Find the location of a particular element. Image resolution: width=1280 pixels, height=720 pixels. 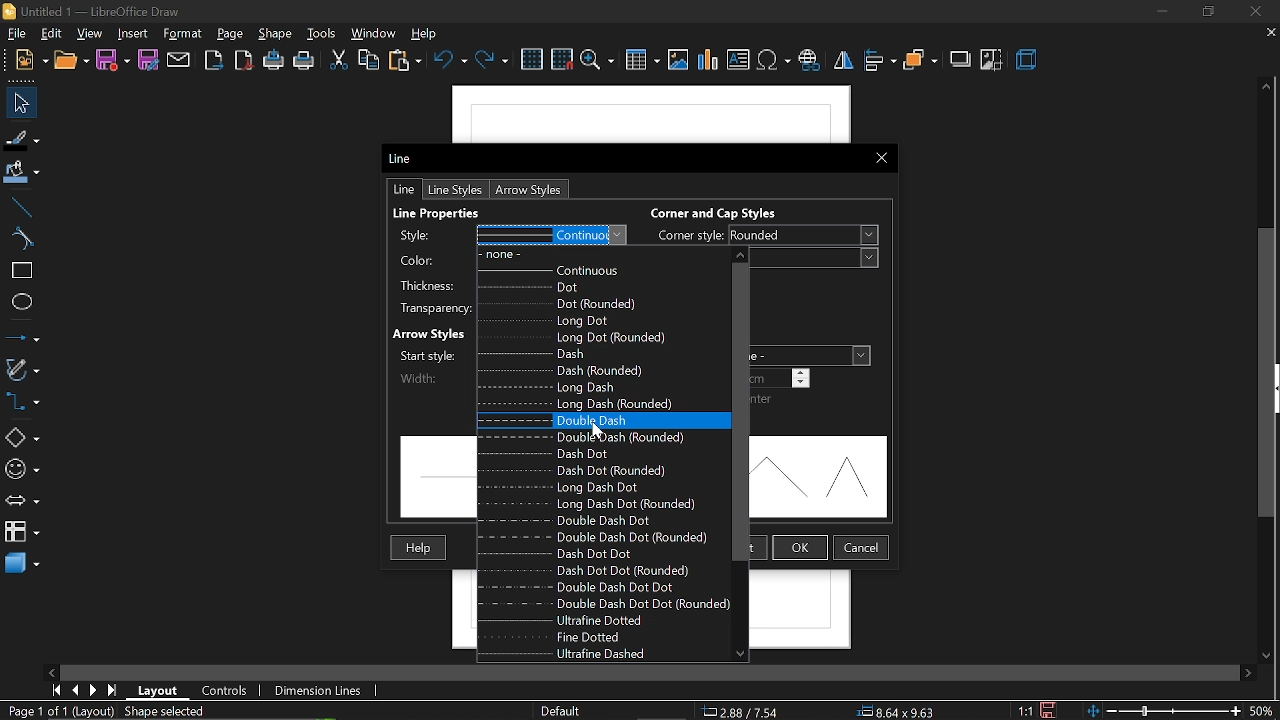

help is located at coordinates (424, 32).